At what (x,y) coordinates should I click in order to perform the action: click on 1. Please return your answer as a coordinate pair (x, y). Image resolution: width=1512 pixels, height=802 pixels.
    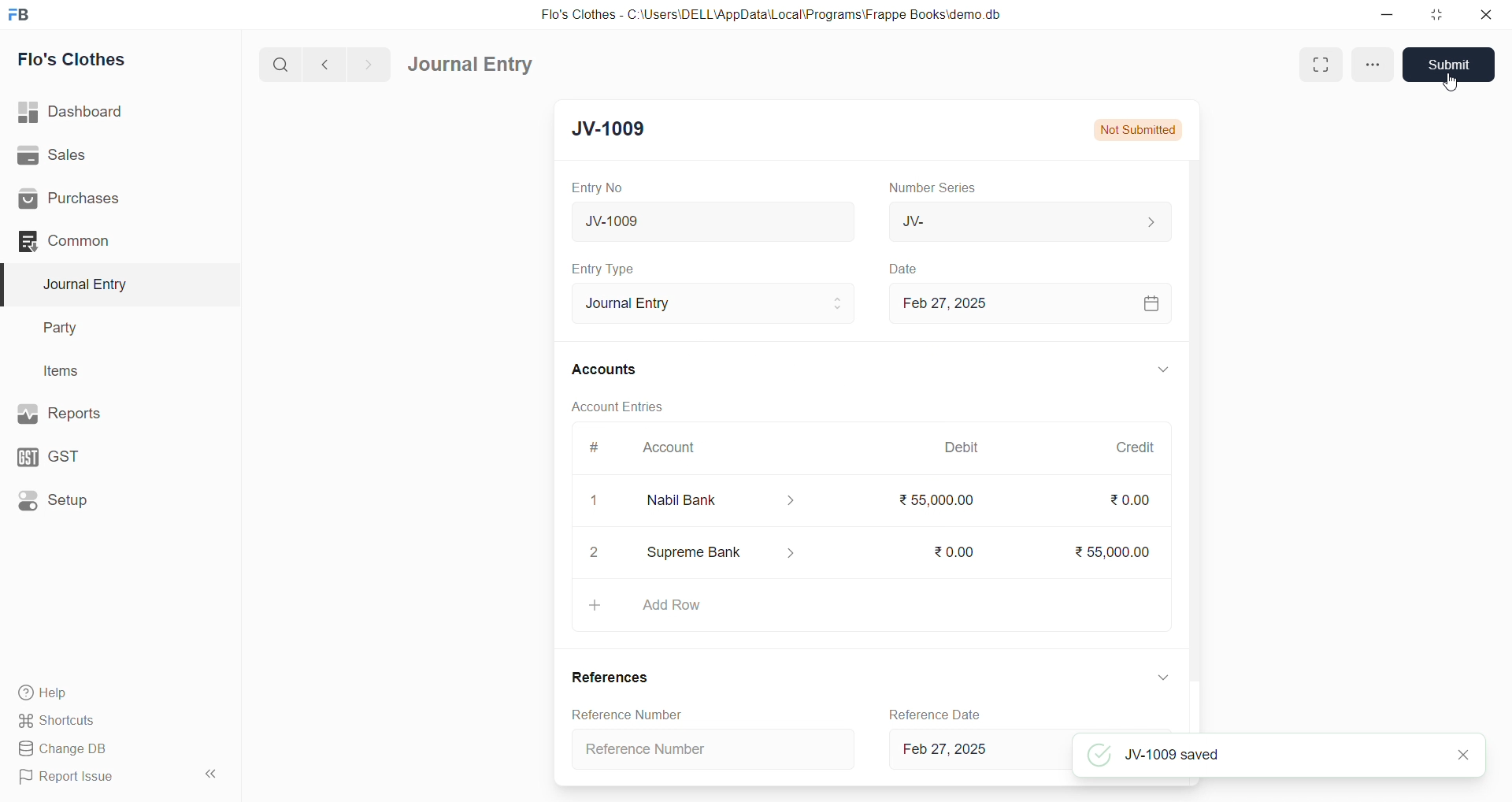
    Looking at the image, I should click on (594, 501).